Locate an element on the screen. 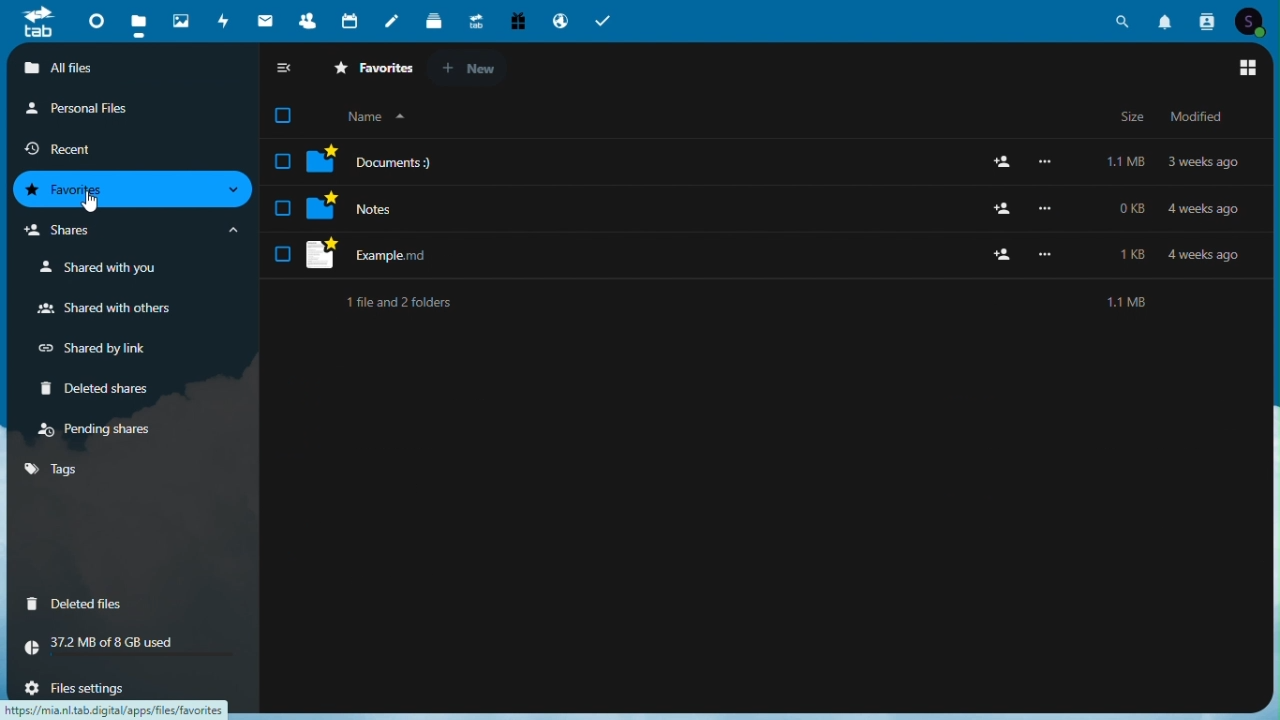 The image size is (1280, 720). Personal files is located at coordinates (126, 109).